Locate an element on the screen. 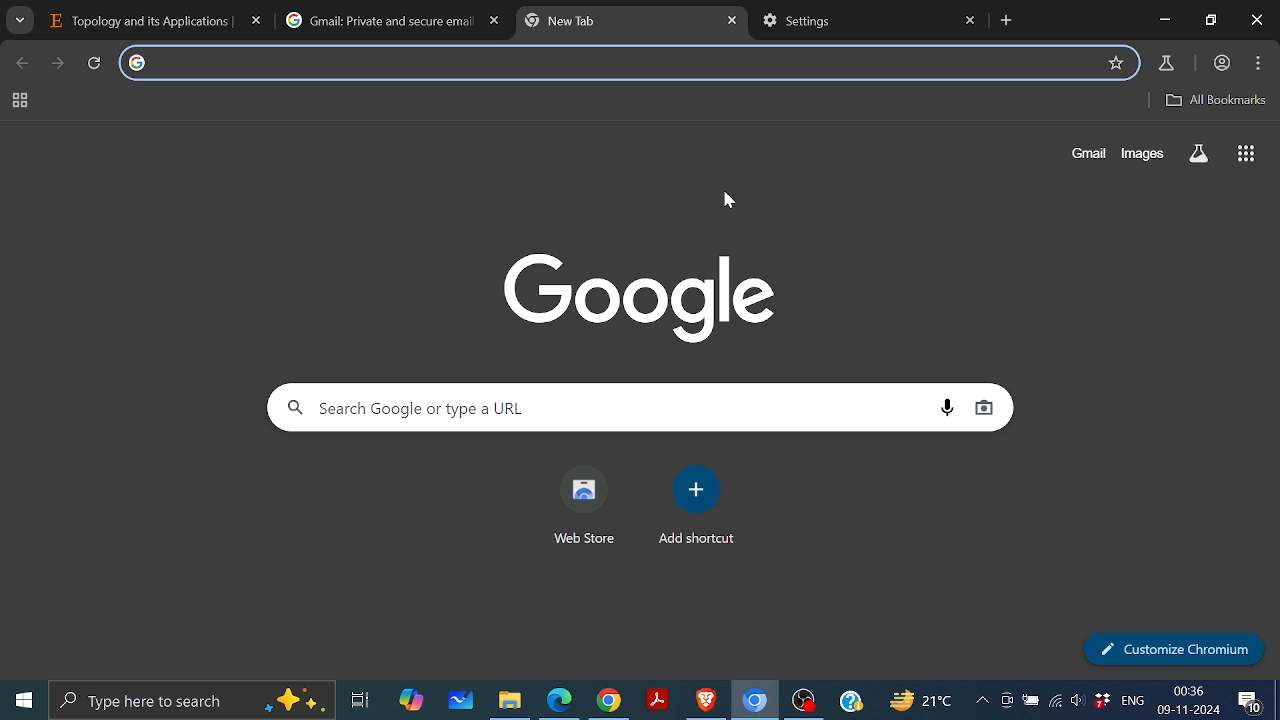 The width and height of the screenshot is (1280, 720). Search Tabs is located at coordinates (20, 20).